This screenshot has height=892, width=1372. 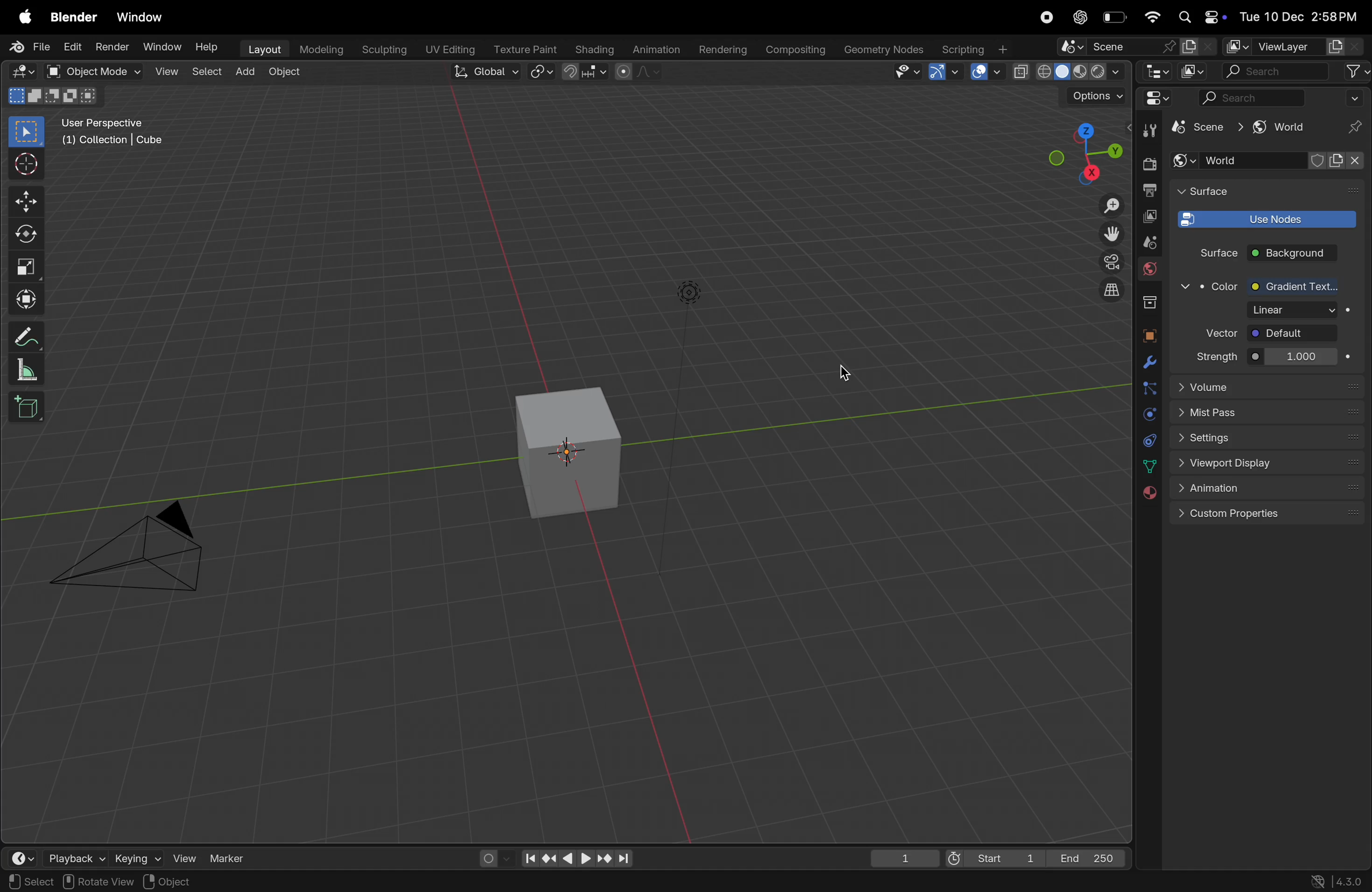 What do you see at coordinates (1253, 98) in the screenshot?
I see `search` at bounding box center [1253, 98].